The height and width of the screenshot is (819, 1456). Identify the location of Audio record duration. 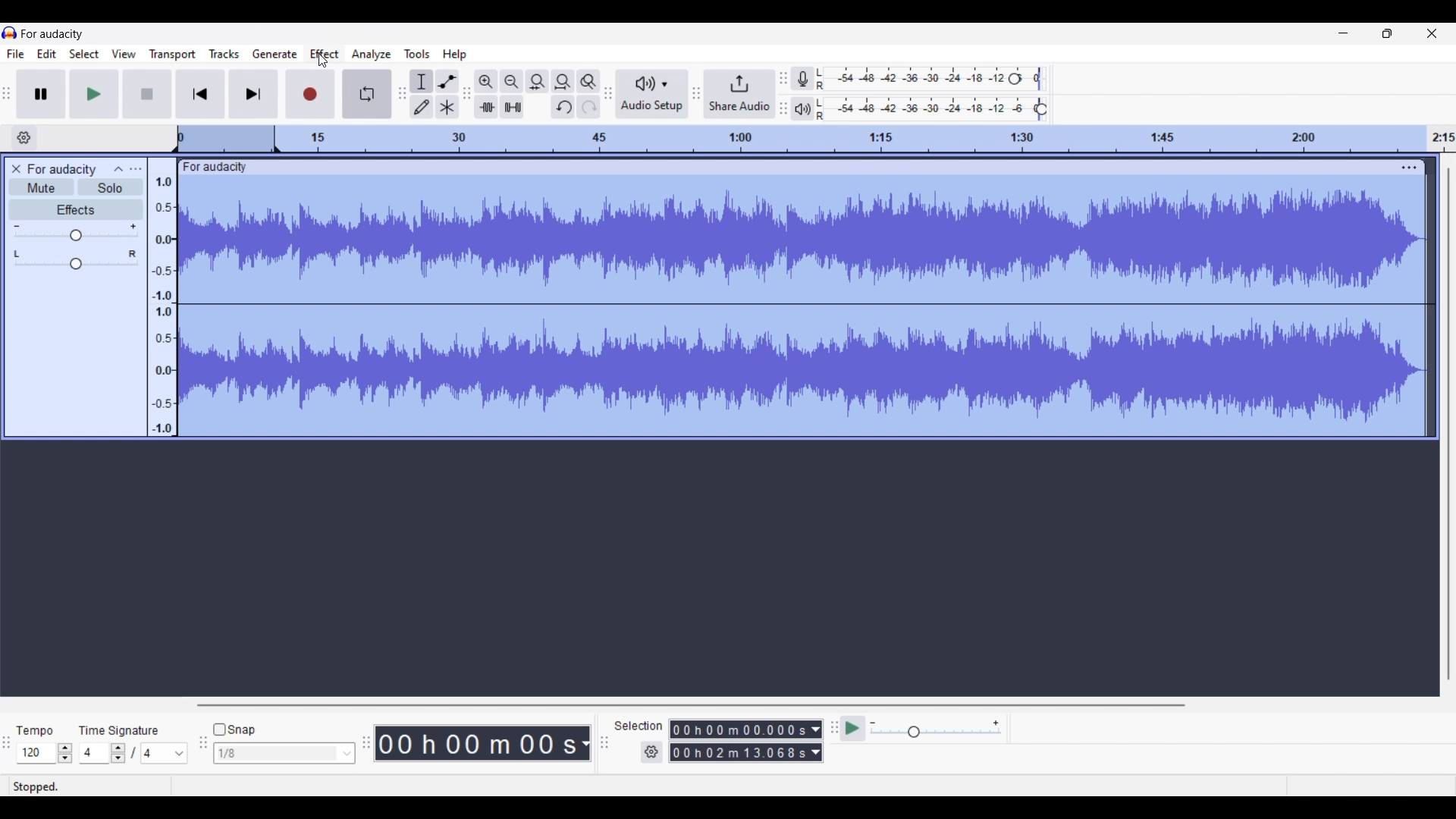
(585, 744).